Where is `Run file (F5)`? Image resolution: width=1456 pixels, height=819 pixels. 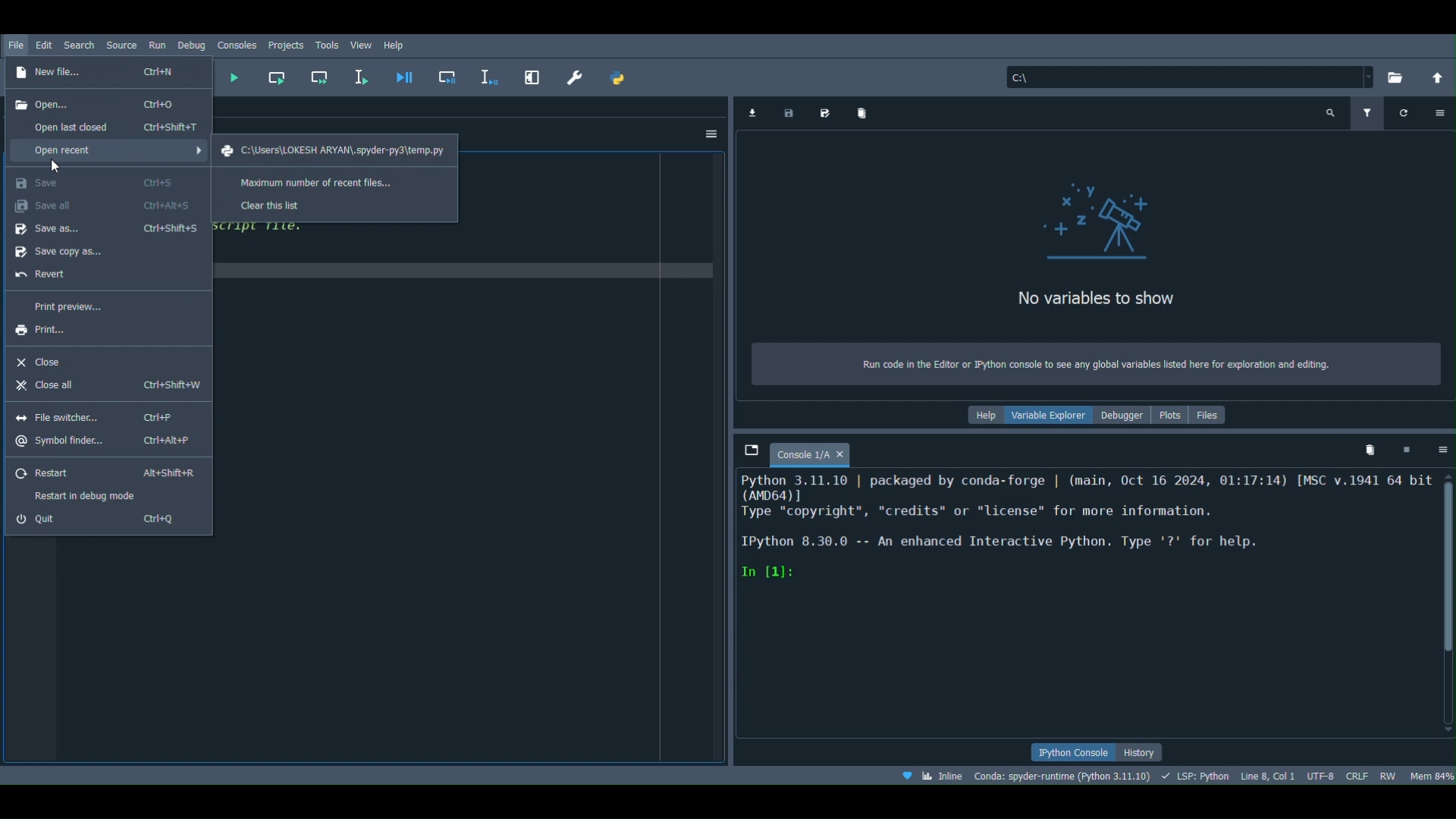 Run file (F5) is located at coordinates (234, 76).